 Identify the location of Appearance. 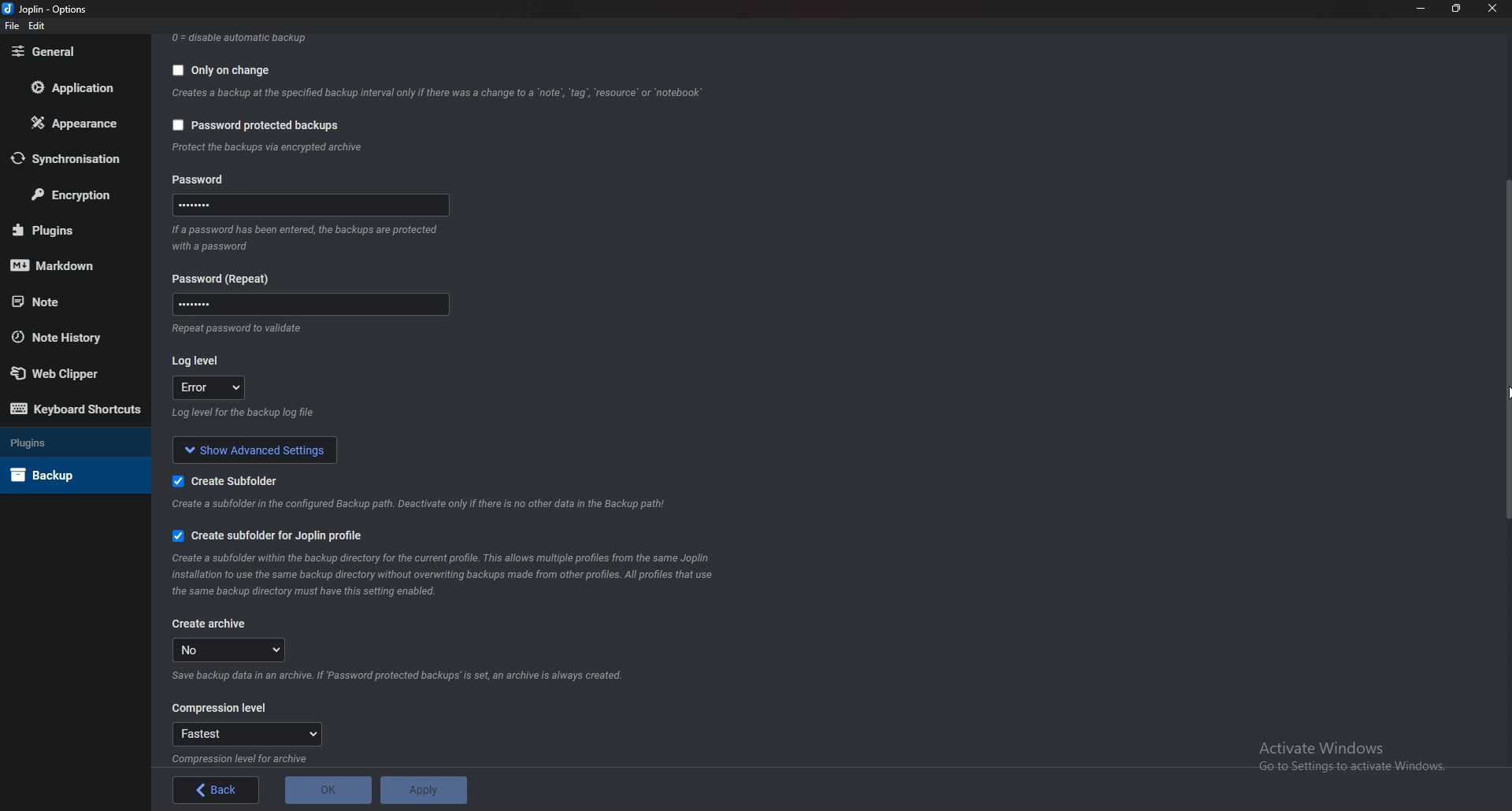
(74, 124).